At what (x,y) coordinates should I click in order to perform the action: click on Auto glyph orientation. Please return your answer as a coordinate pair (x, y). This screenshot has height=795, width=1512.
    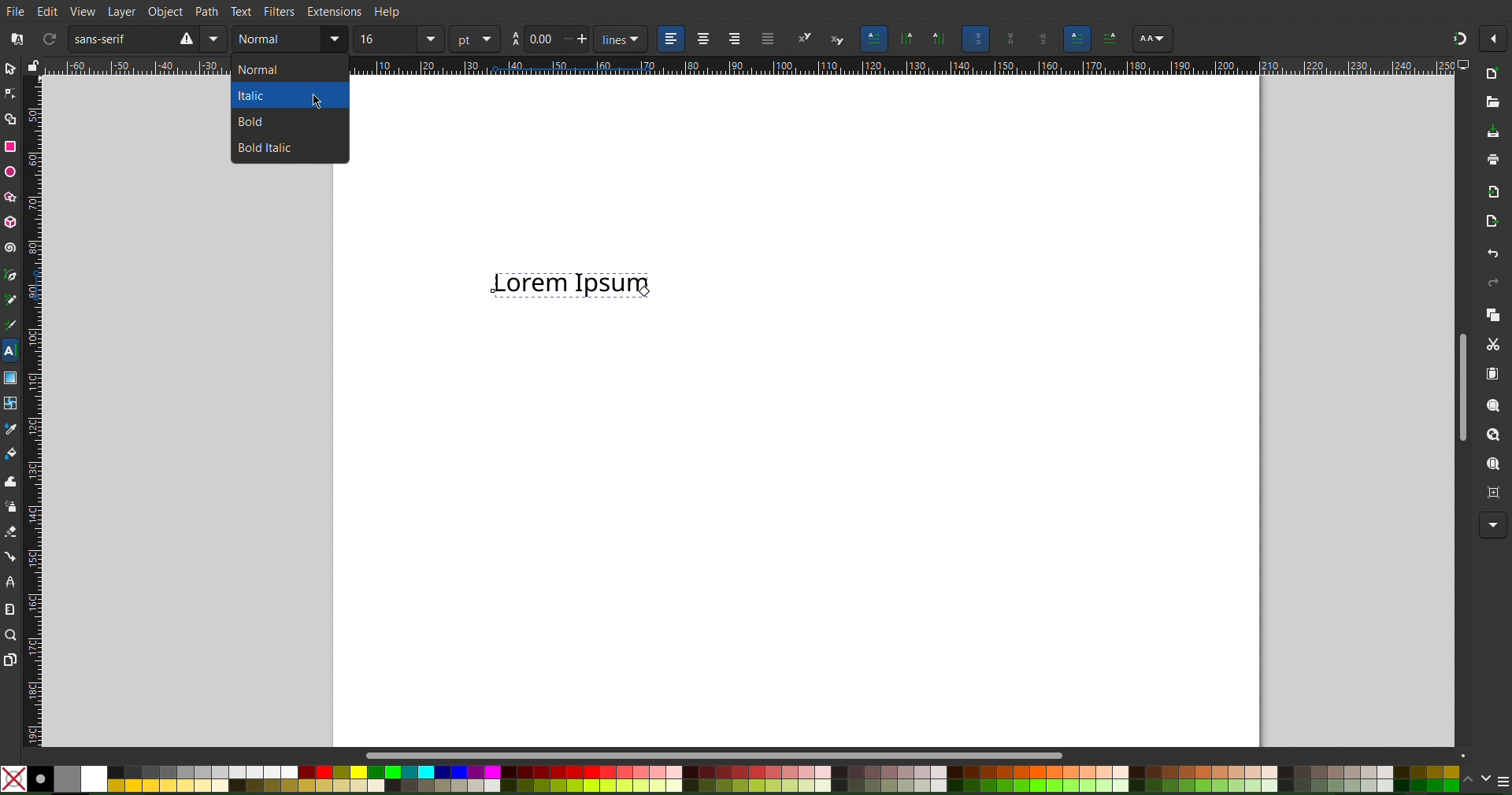
    Looking at the image, I should click on (975, 39).